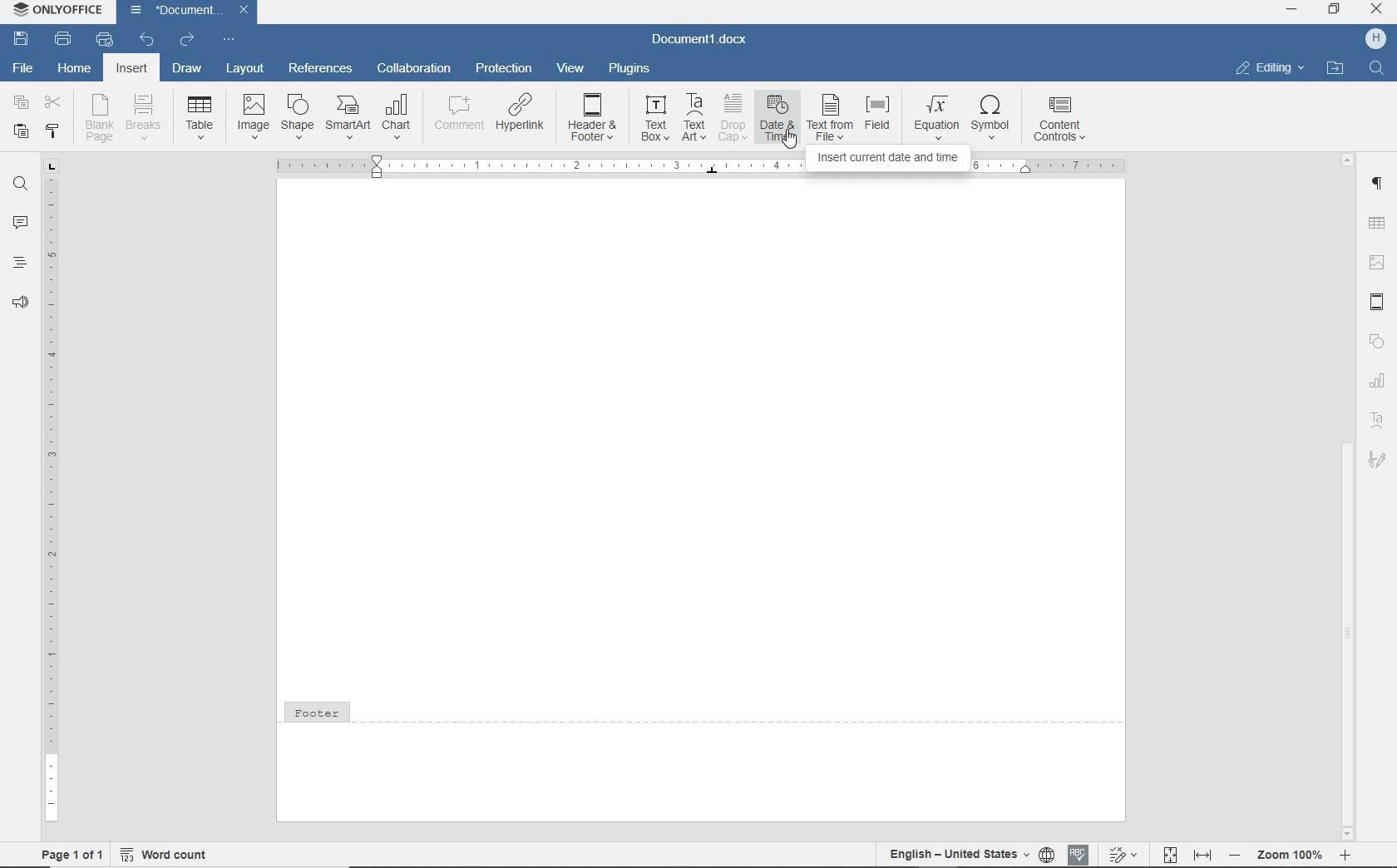  Describe the element at coordinates (49, 491) in the screenshot. I see `ruler` at that location.